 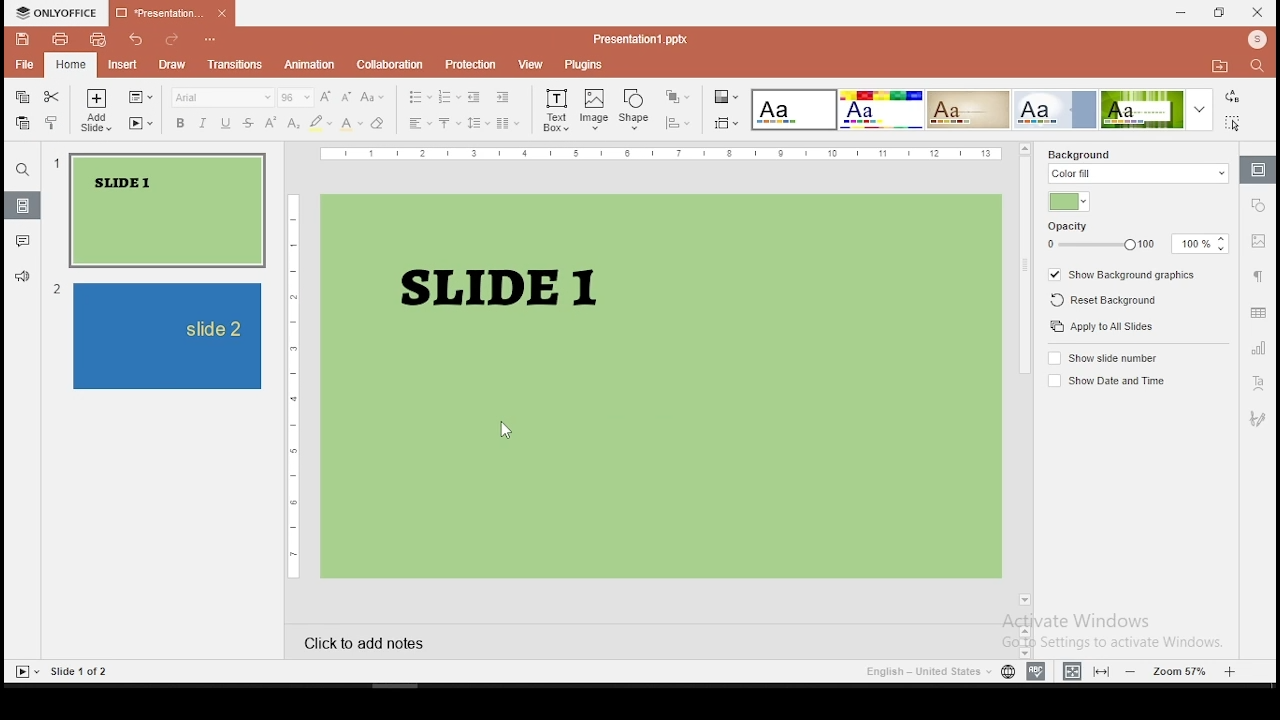 I want to click on quick print, so click(x=99, y=38).